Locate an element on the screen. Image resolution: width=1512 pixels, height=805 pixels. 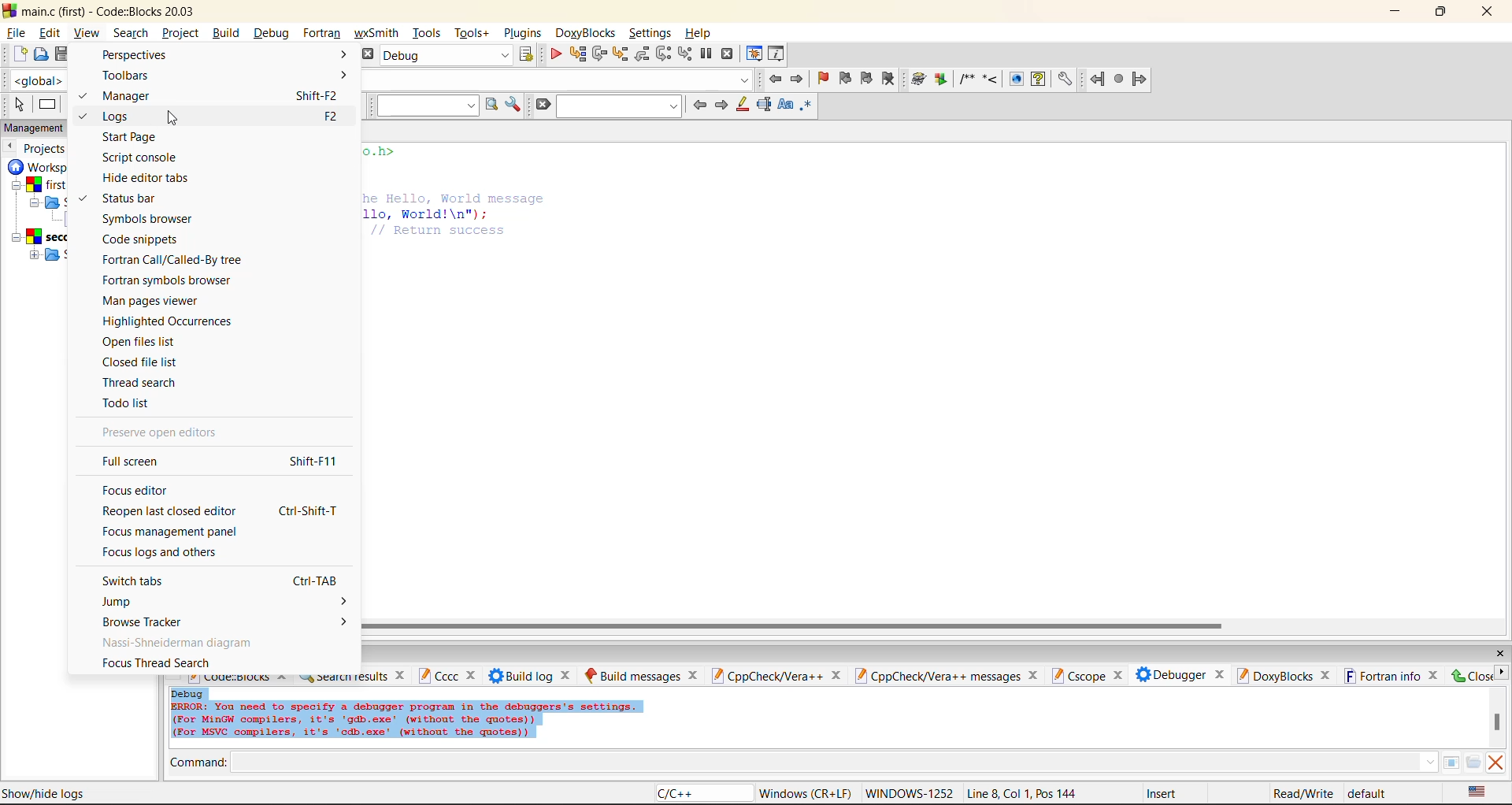
language is located at coordinates (700, 794).